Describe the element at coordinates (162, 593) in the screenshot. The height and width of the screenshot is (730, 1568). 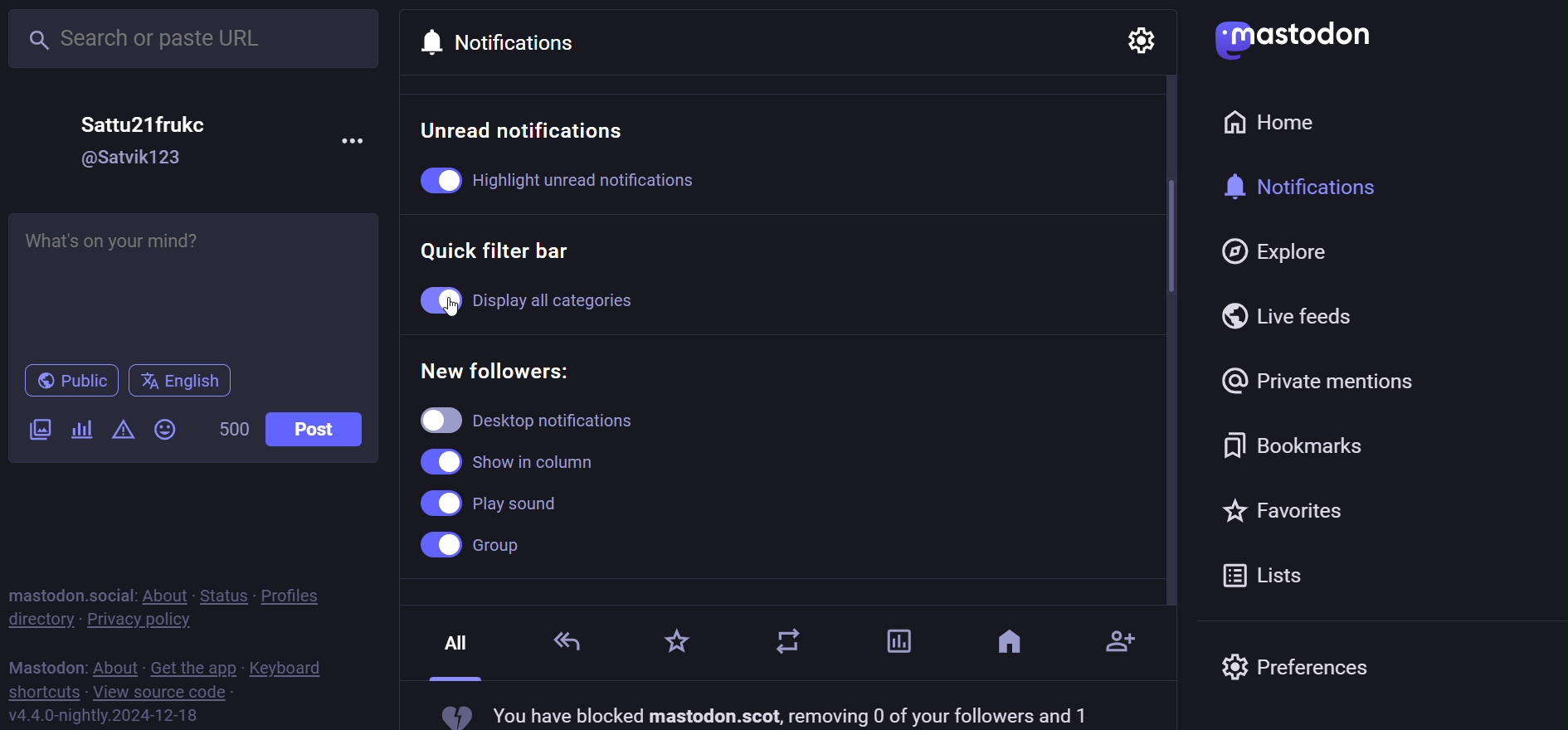
I see `about` at that location.